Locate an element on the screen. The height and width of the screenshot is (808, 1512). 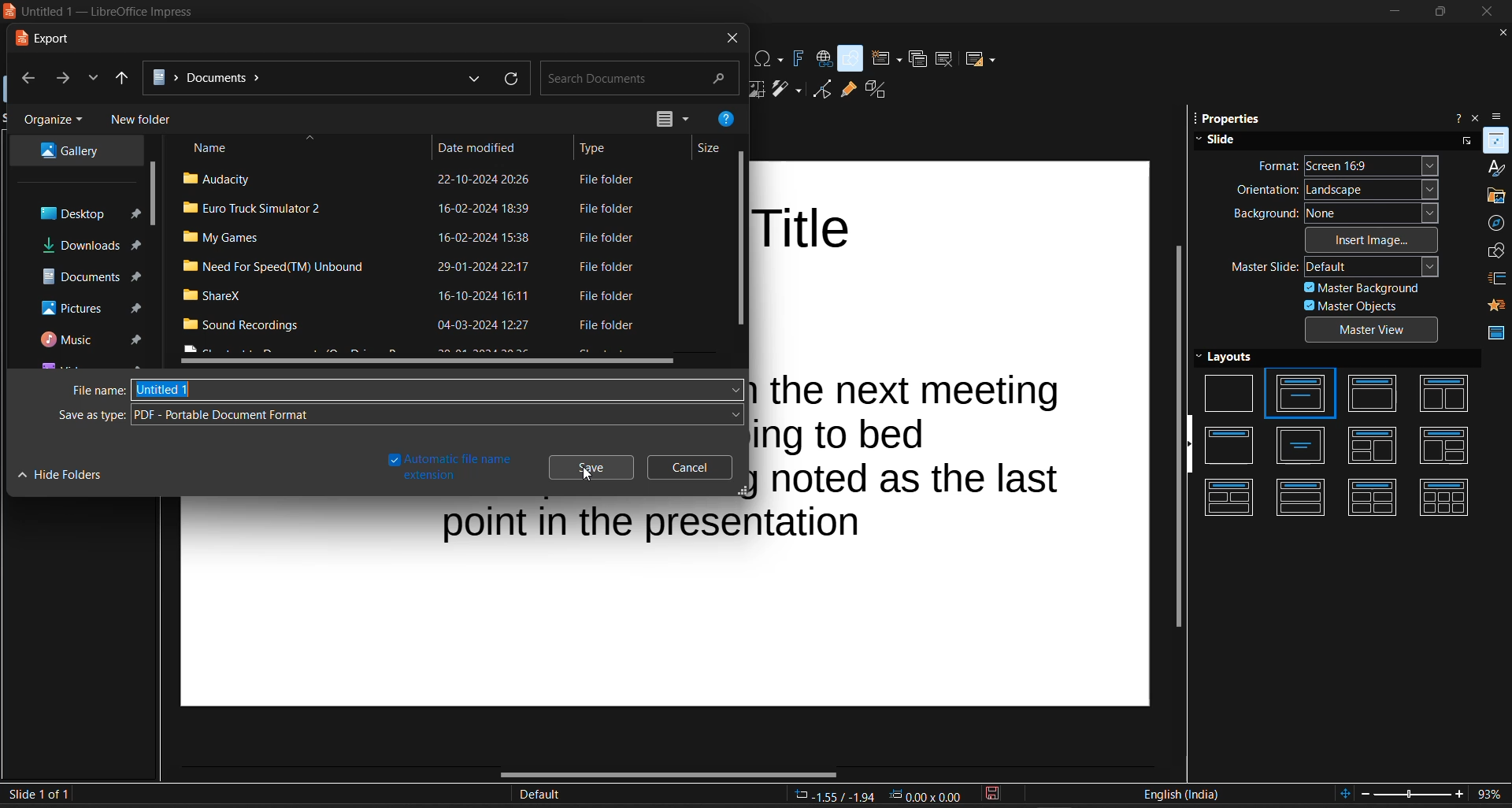
show draw functions is located at coordinates (850, 57).